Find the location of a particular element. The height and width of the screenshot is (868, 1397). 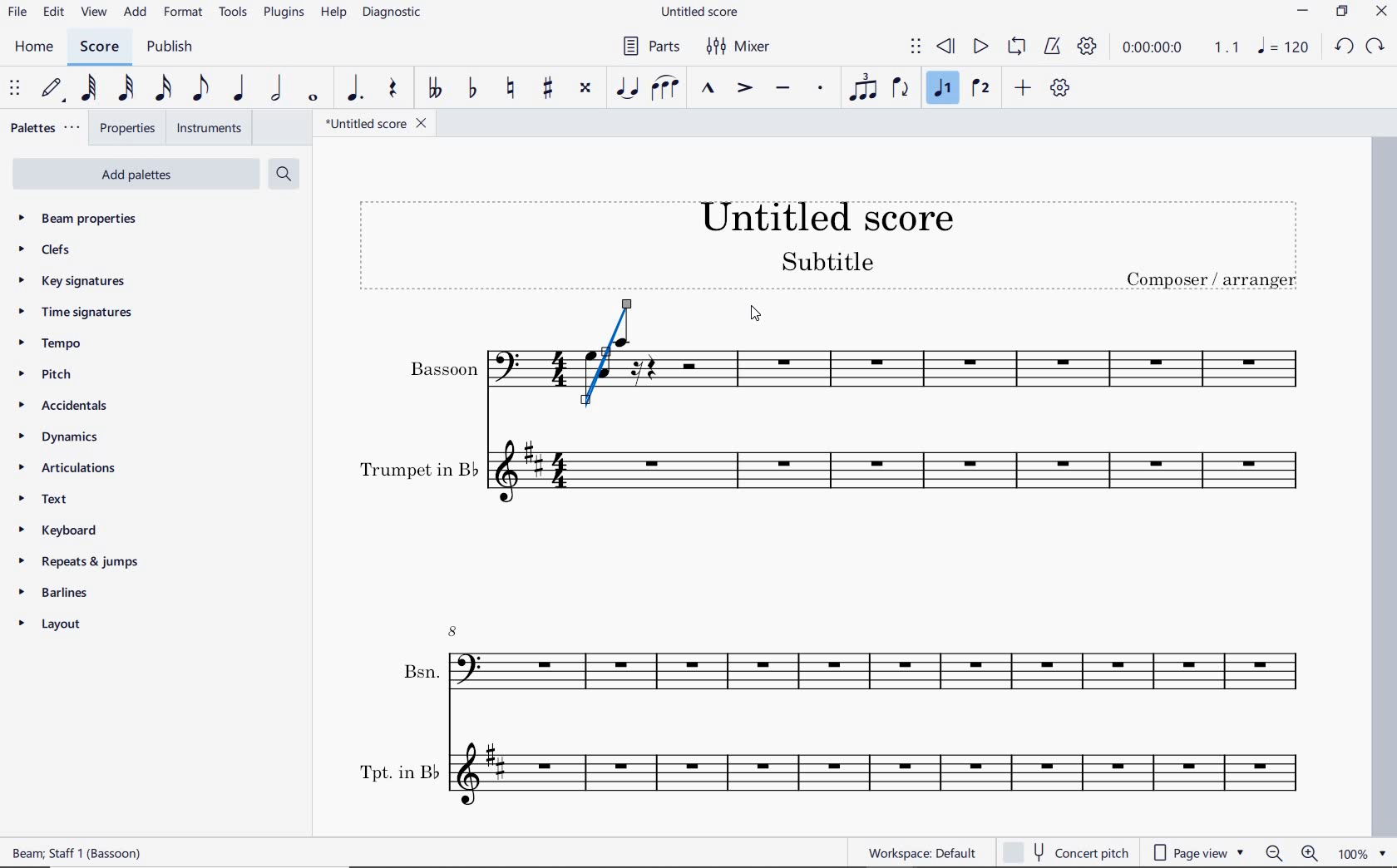

zoom out or zoom in is located at coordinates (1292, 851).